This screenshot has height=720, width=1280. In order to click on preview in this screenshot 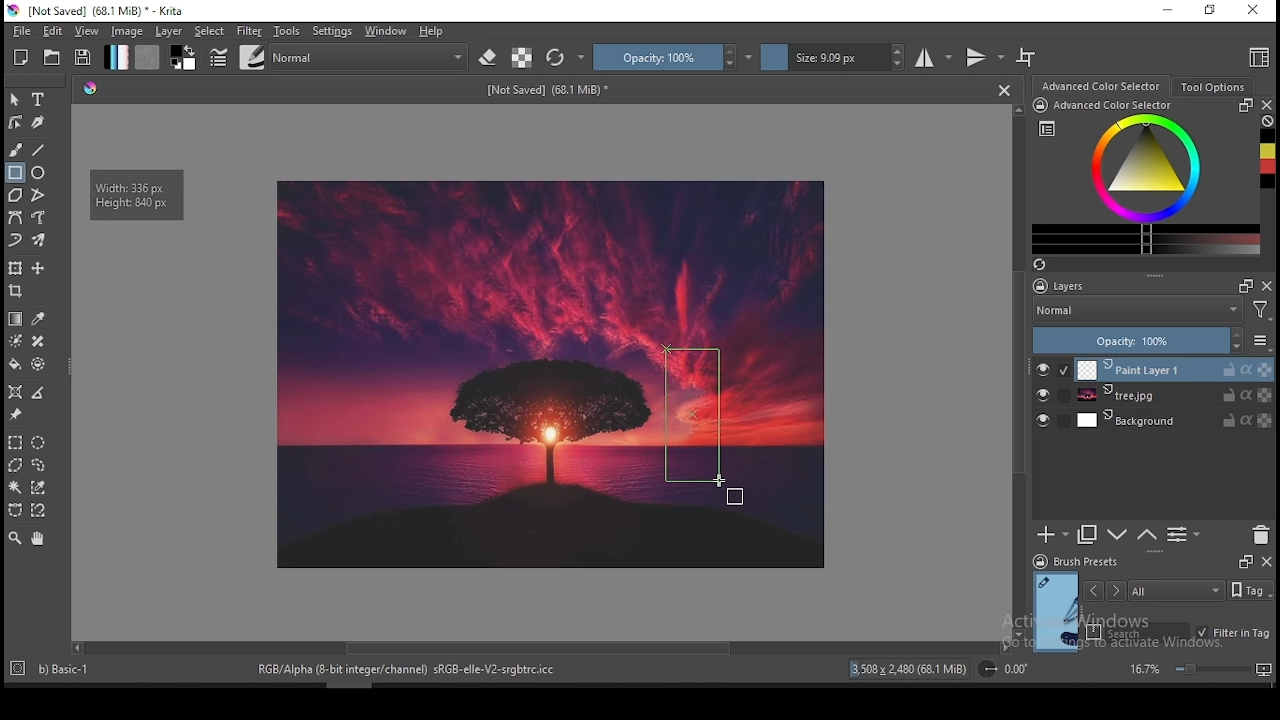, I will do `click(1054, 610)`.